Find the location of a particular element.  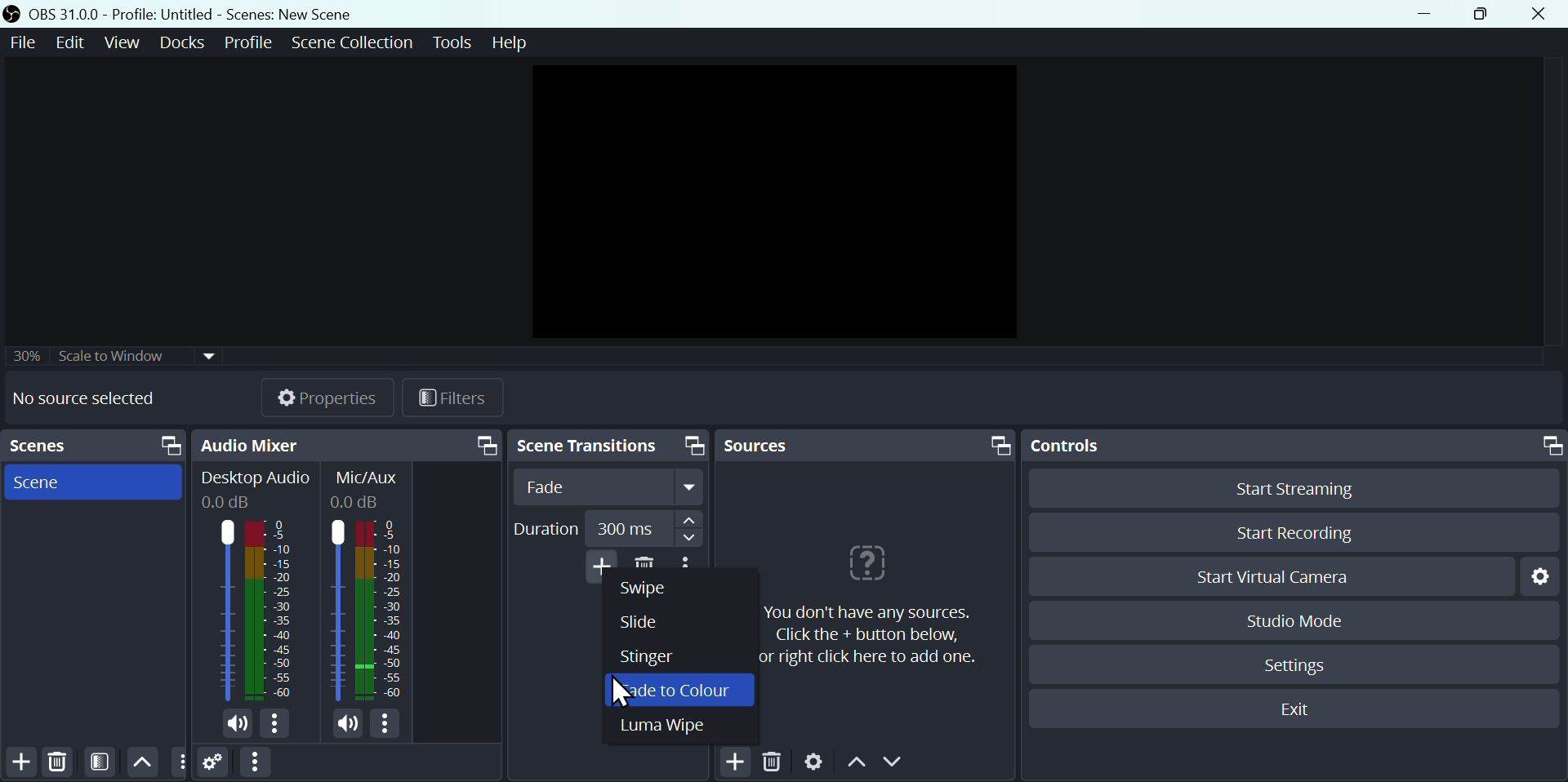

Properties is located at coordinates (329, 395).